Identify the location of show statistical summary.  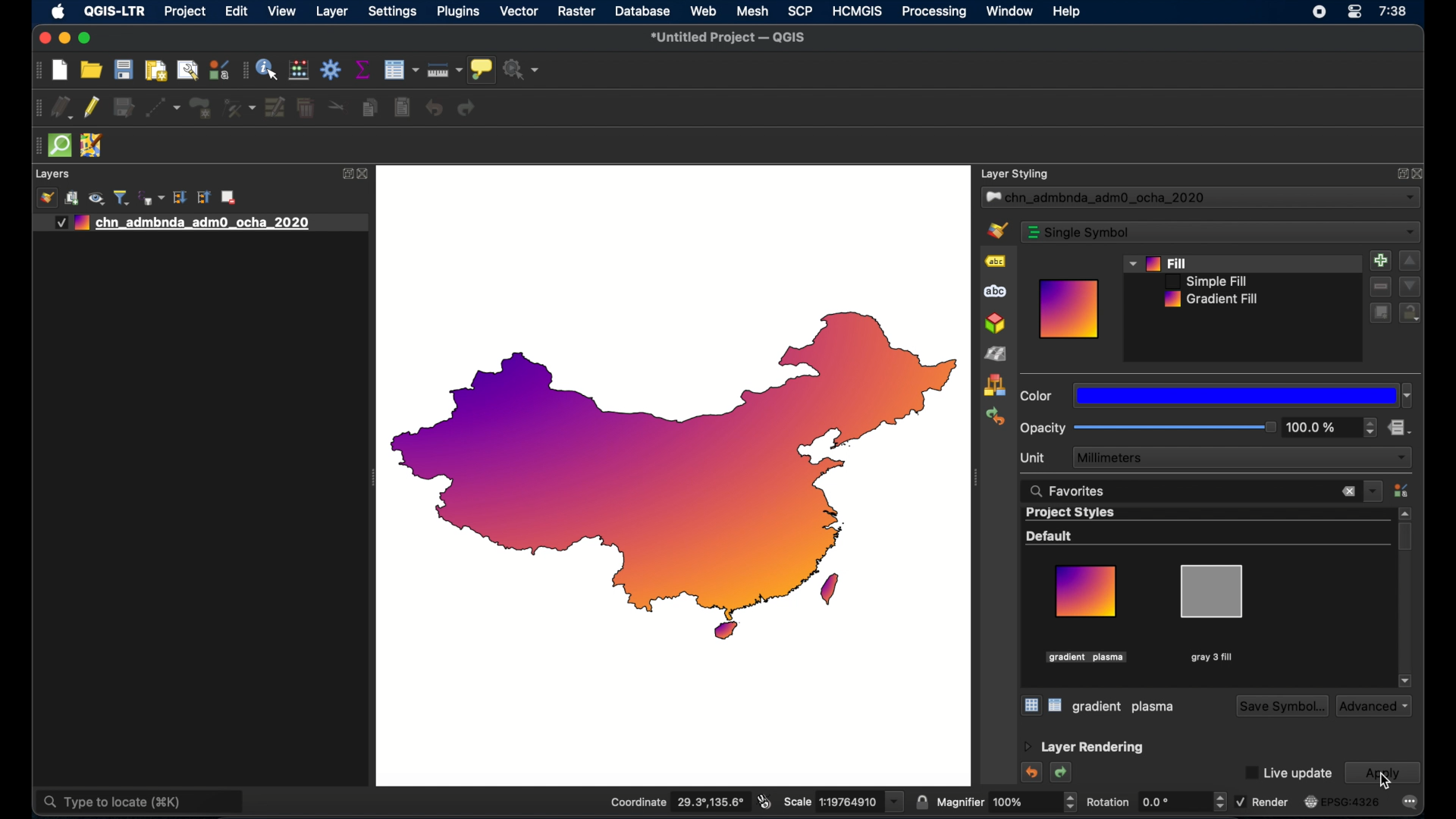
(365, 69).